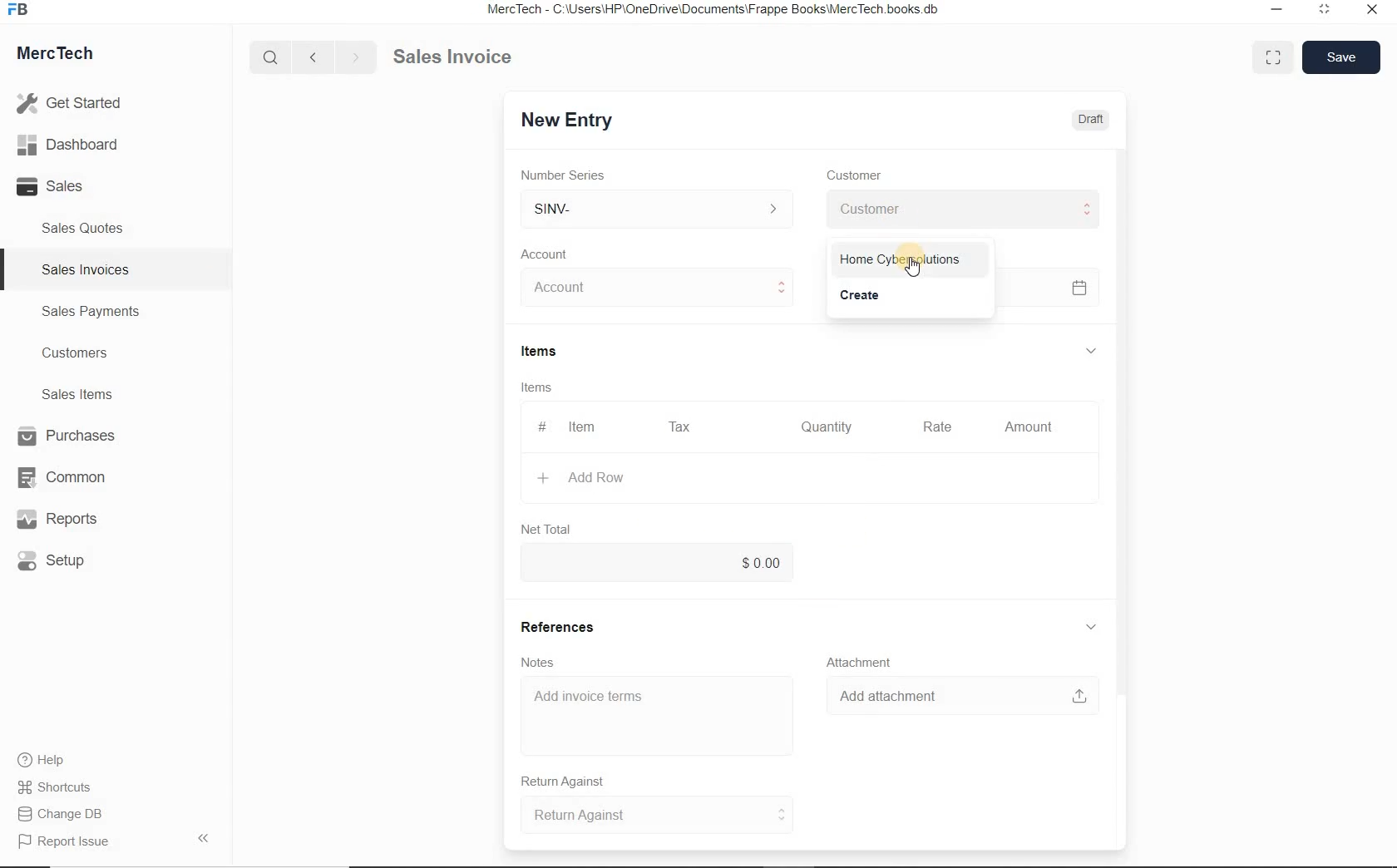 This screenshot has width=1397, height=868. What do you see at coordinates (1078, 289) in the screenshot?
I see `Calendar` at bounding box center [1078, 289].